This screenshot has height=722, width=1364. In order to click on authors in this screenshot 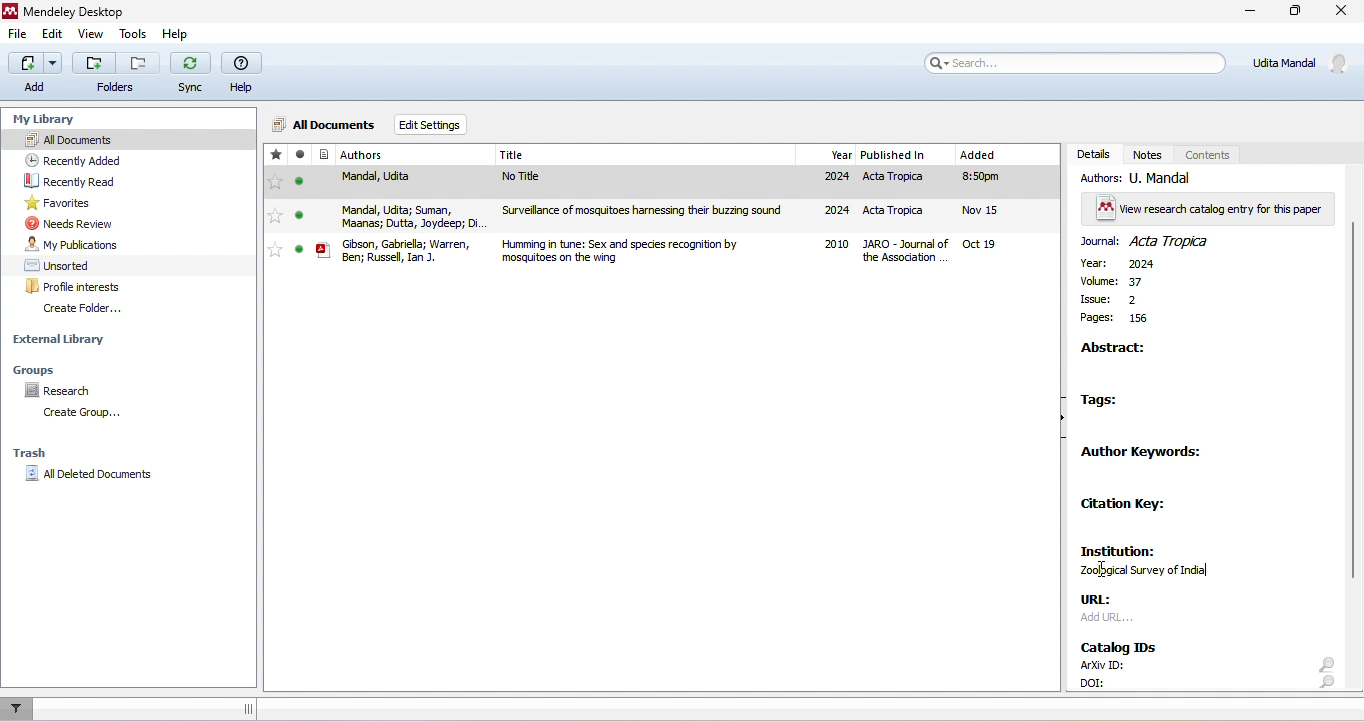, I will do `click(386, 156)`.